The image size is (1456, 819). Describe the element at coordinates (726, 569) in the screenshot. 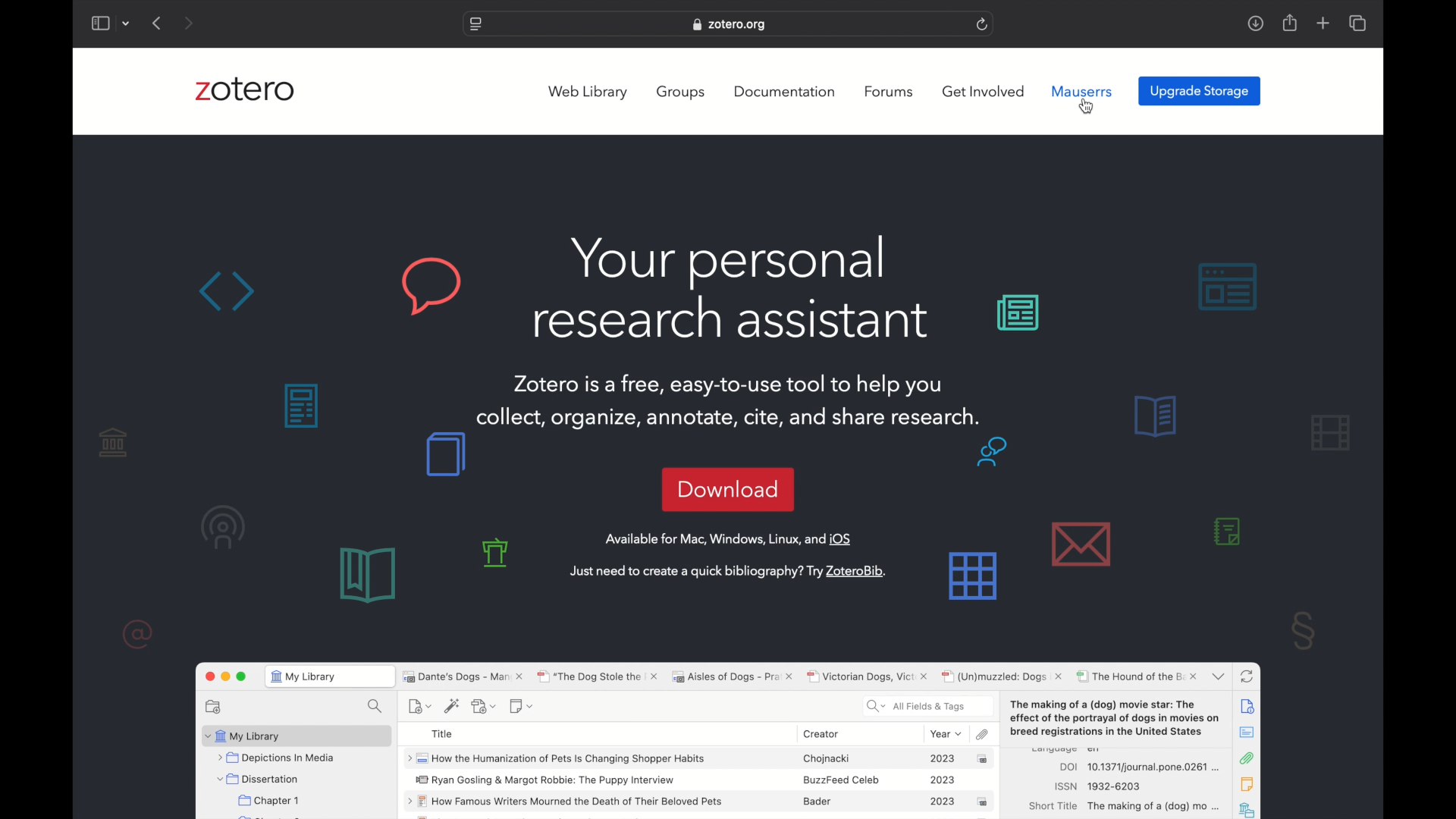

I see `Just need to create a quick bibliography? Try ZoteroBib. |` at that location.